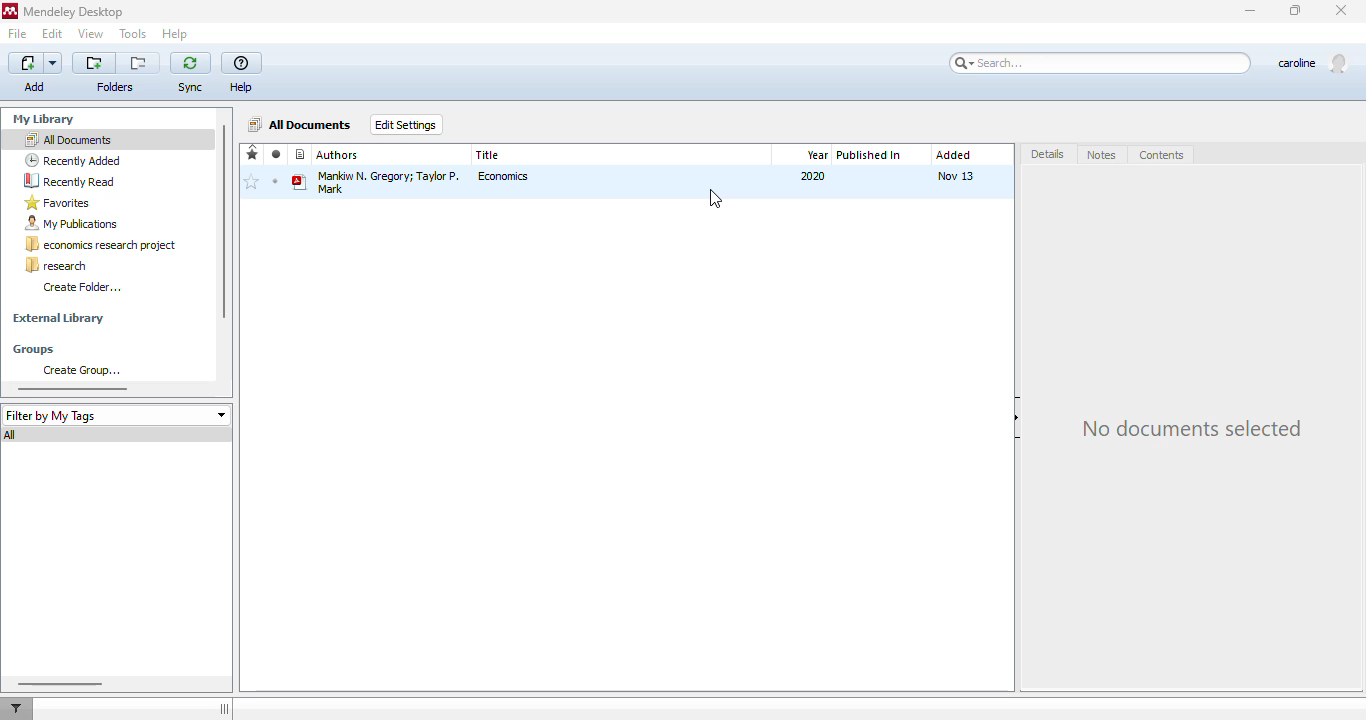  I want to click on edit, so click(52, 33).